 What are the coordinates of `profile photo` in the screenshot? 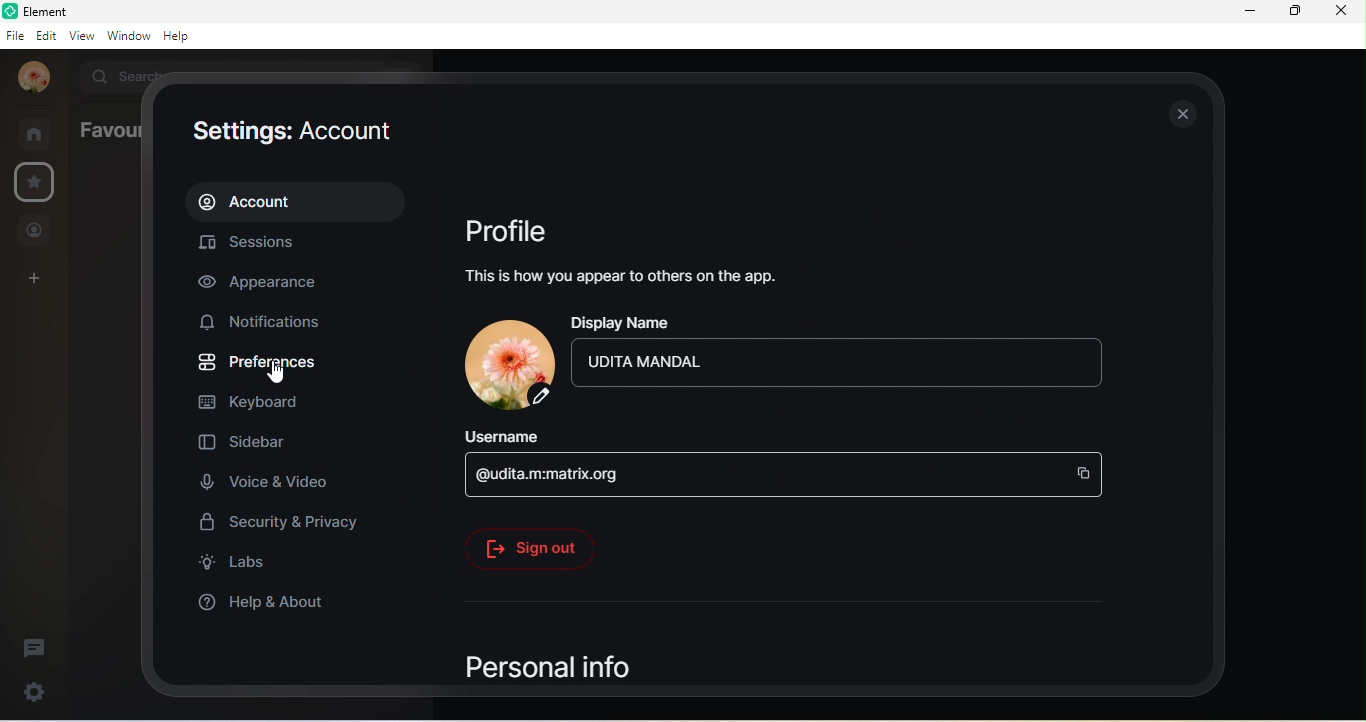 It's located at (30, 78).